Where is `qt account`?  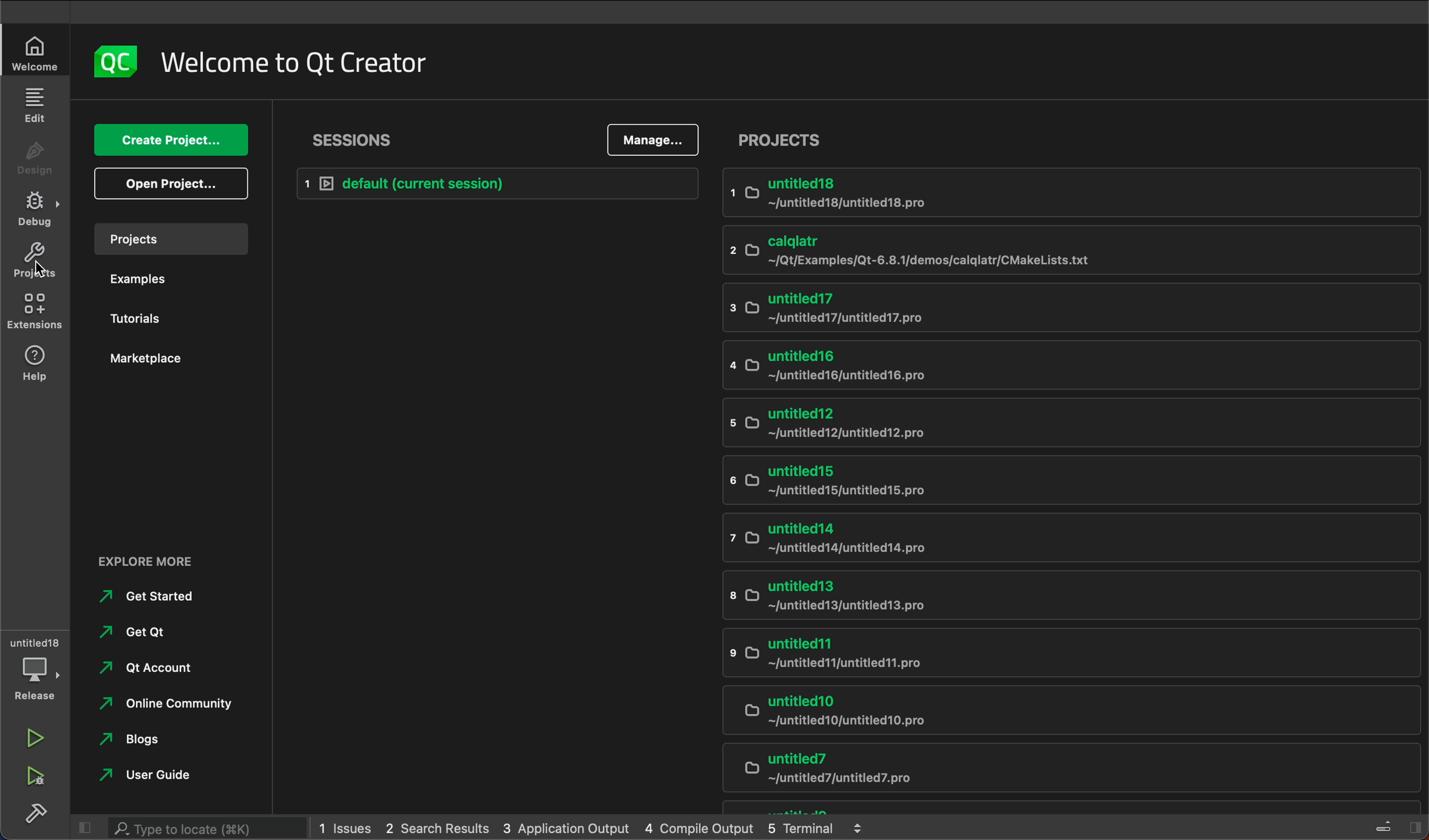 qt account is located at coordinates (161, 667).